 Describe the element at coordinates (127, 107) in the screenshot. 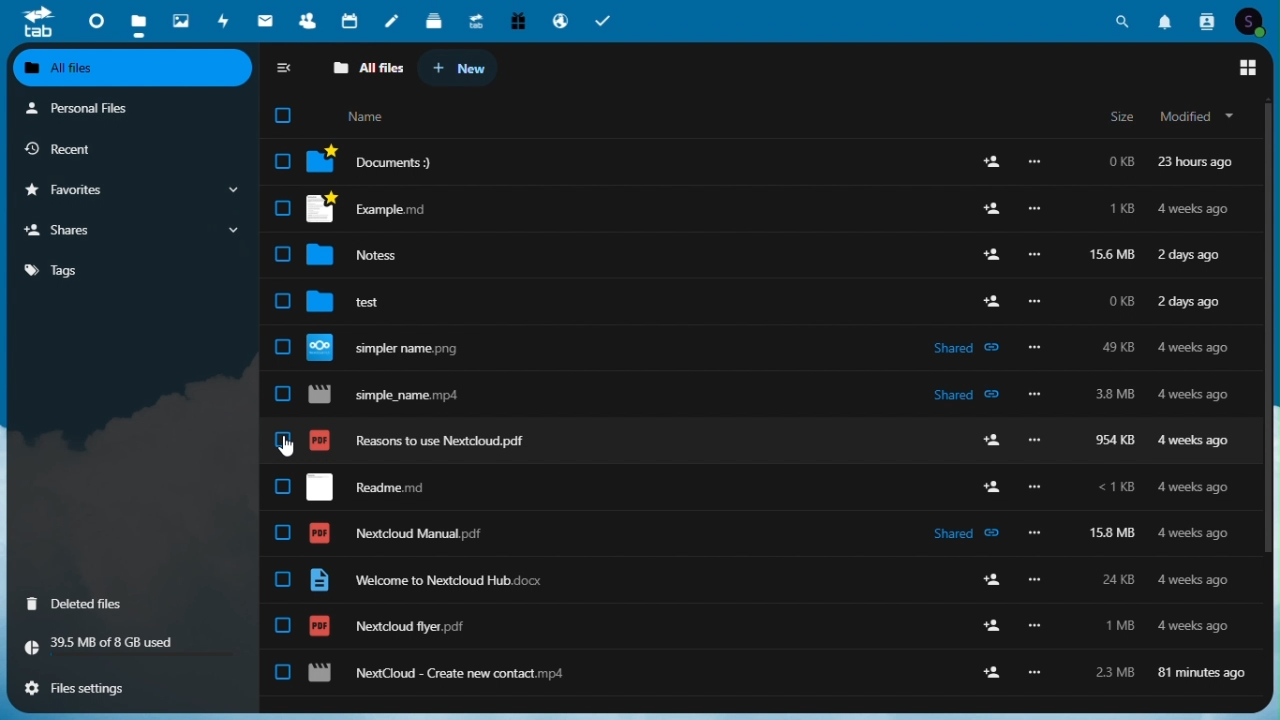

I see `personal files` at that location.